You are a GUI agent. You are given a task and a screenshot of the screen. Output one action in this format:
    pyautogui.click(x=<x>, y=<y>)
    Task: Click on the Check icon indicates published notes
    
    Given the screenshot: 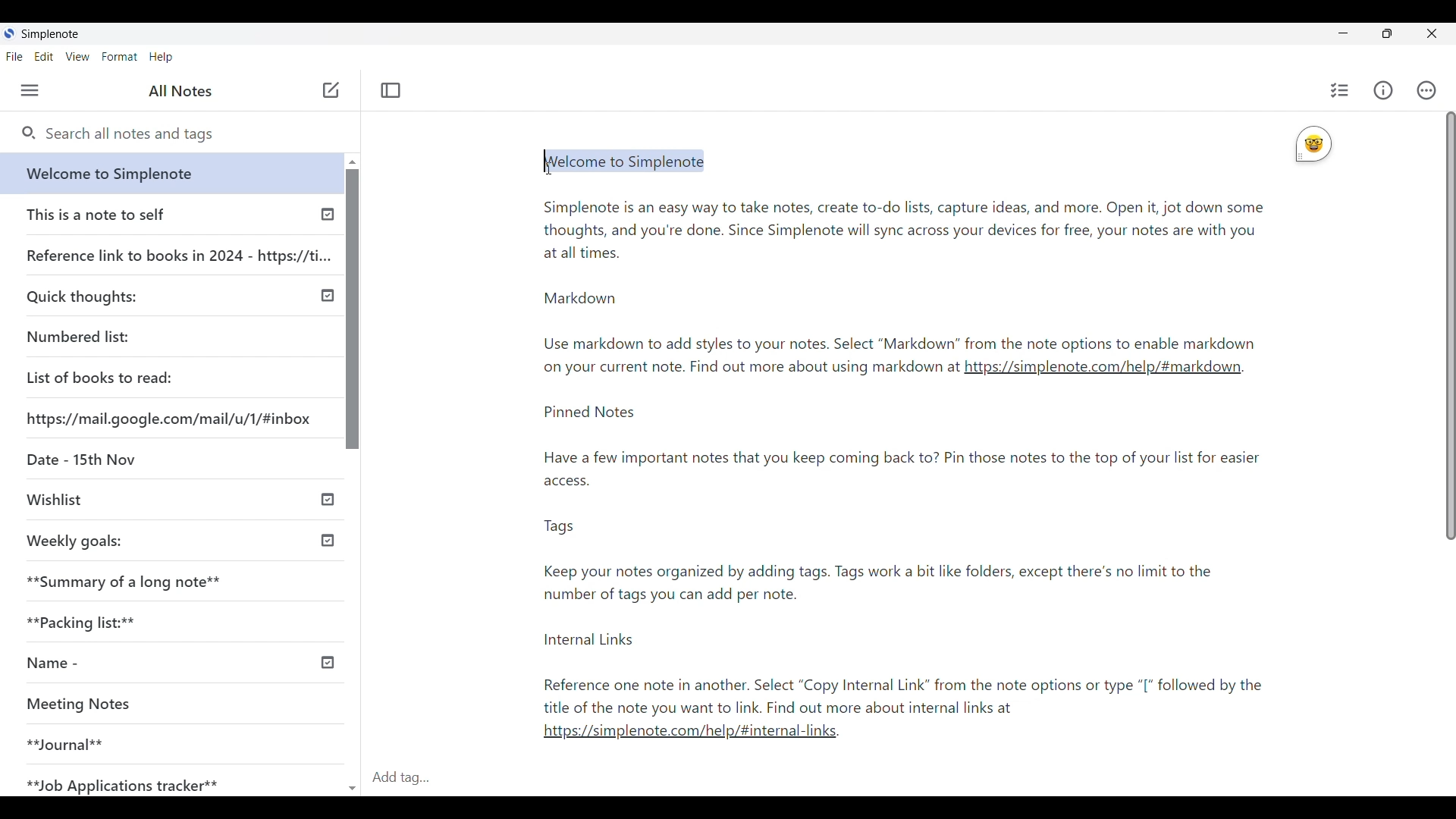 What is the action you would take?
    pyautogui.click(x=328, y=218)
    